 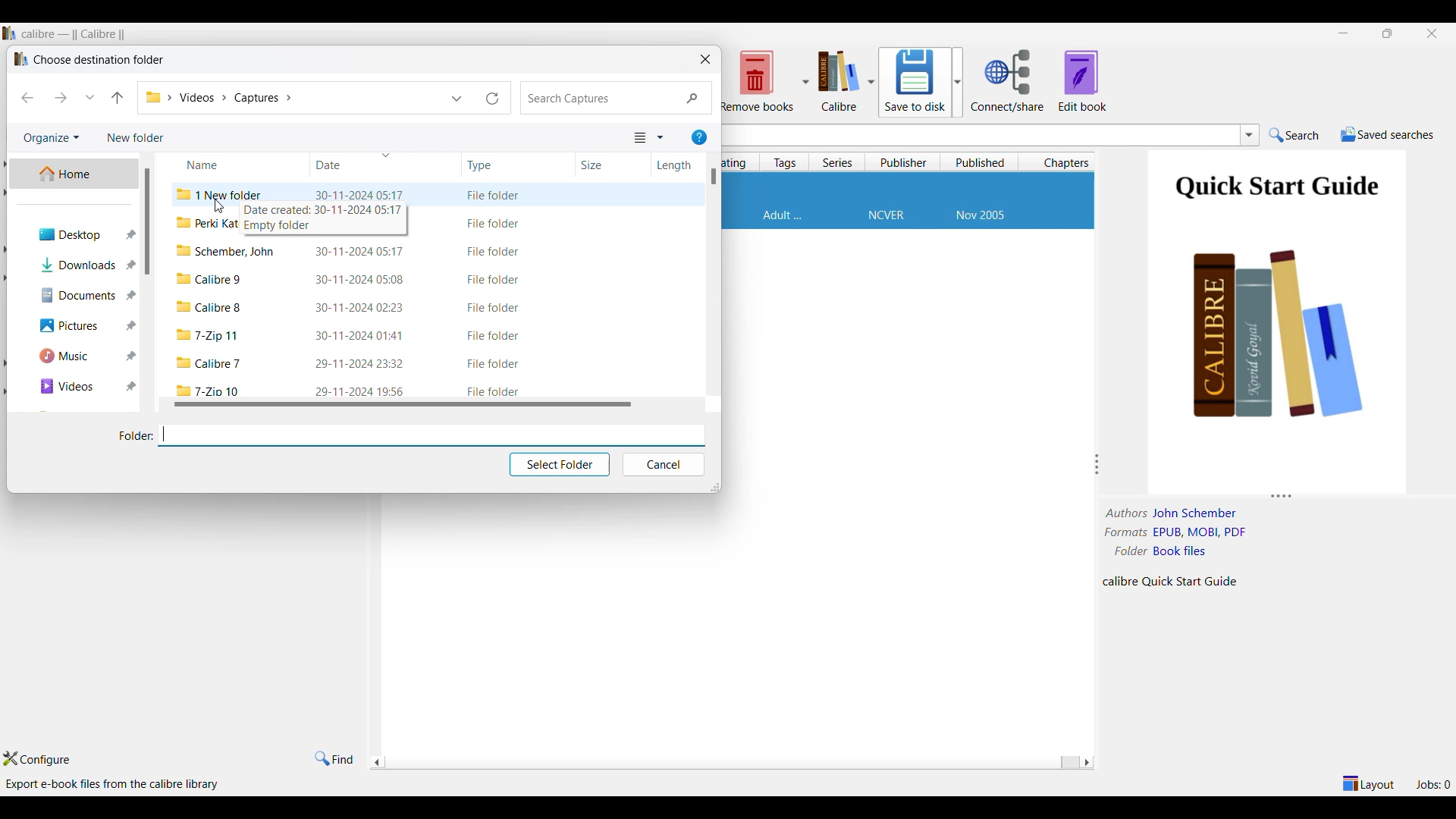 I want to click on Remove book options, so click(x=764, y=80).